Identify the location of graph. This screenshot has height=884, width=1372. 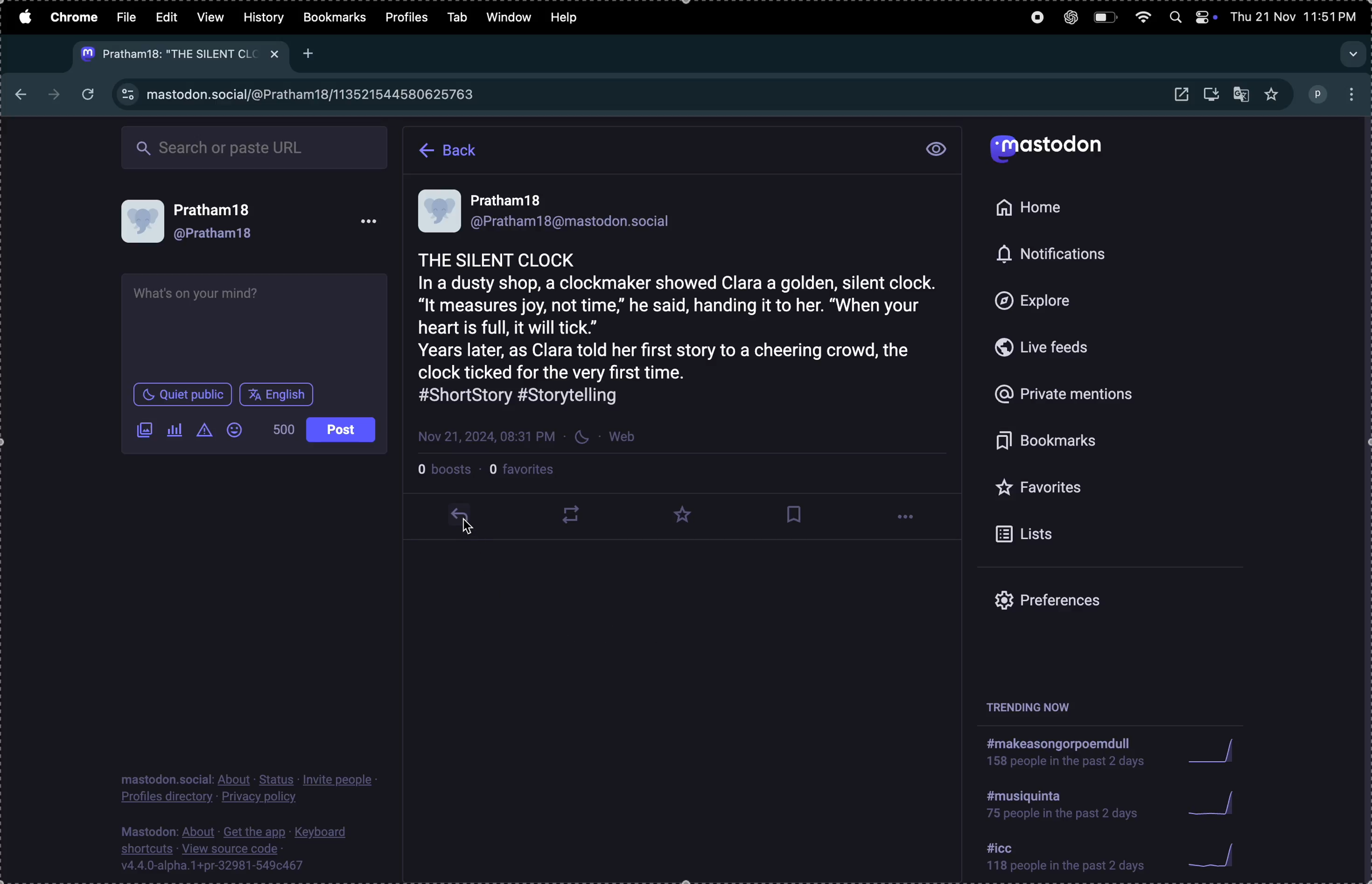
(1214, 751).